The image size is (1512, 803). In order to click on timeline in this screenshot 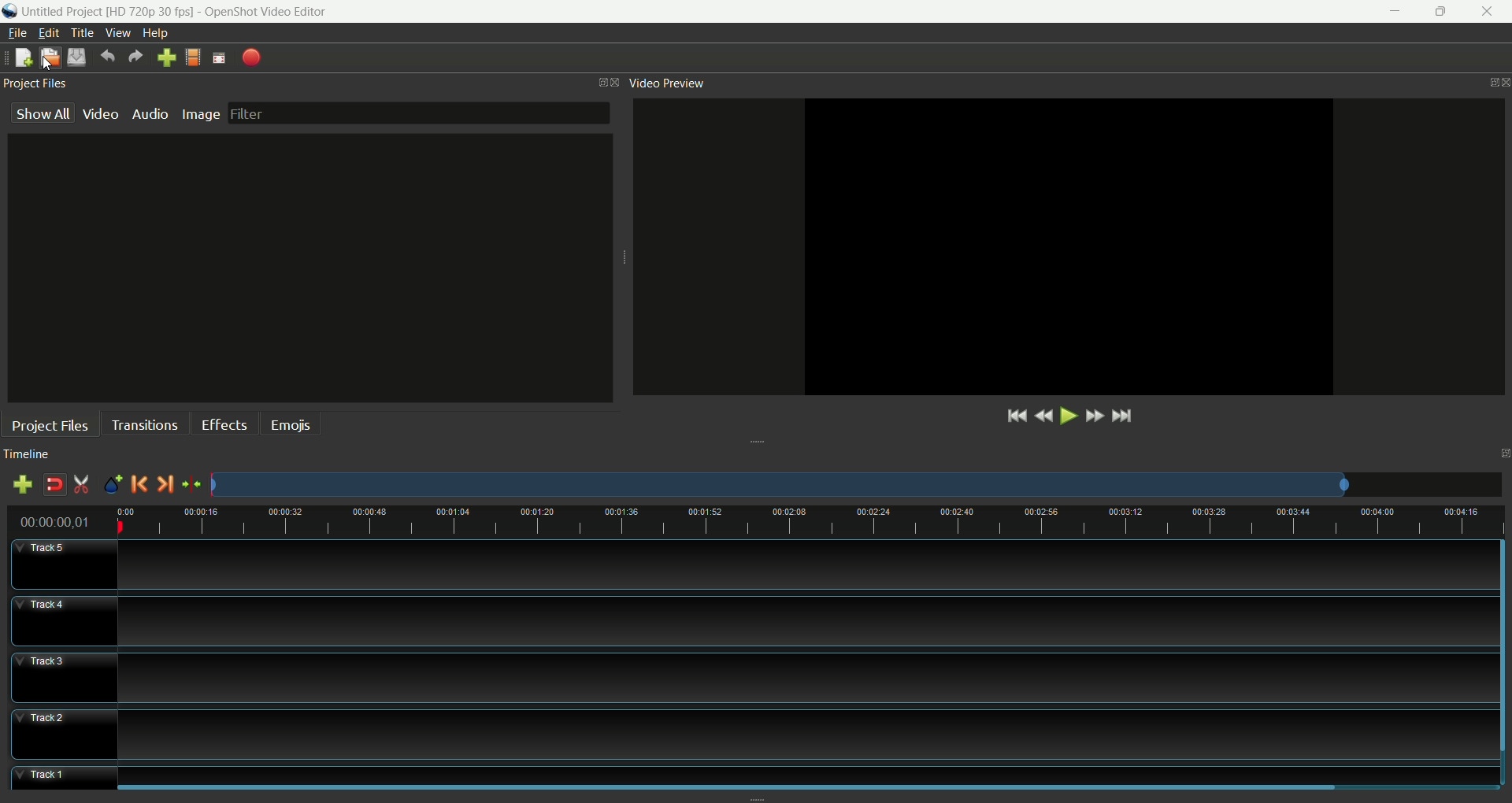, I will do `click(27, 455)`.